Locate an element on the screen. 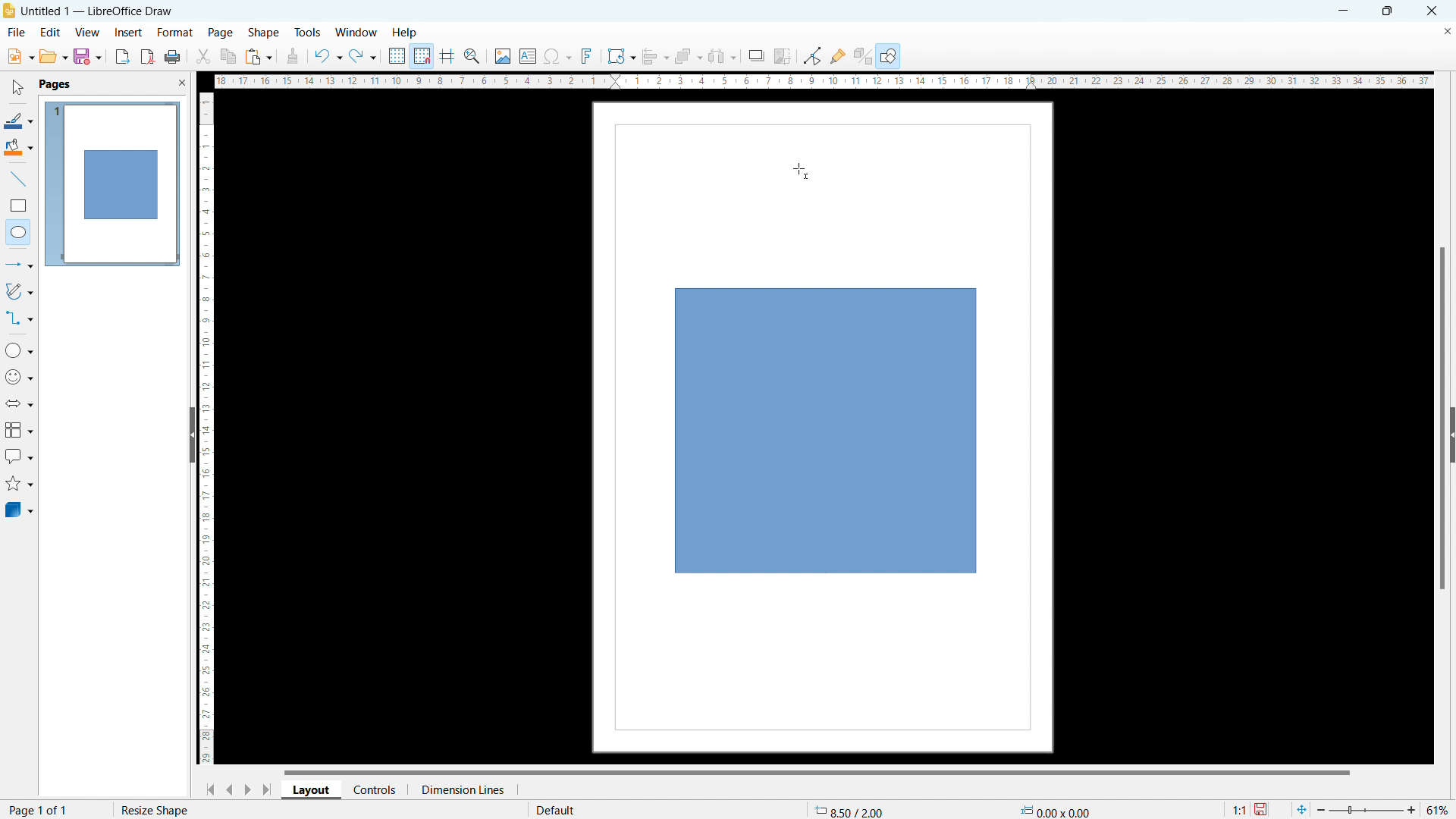  3D objects is located at coordinates (18, 509).